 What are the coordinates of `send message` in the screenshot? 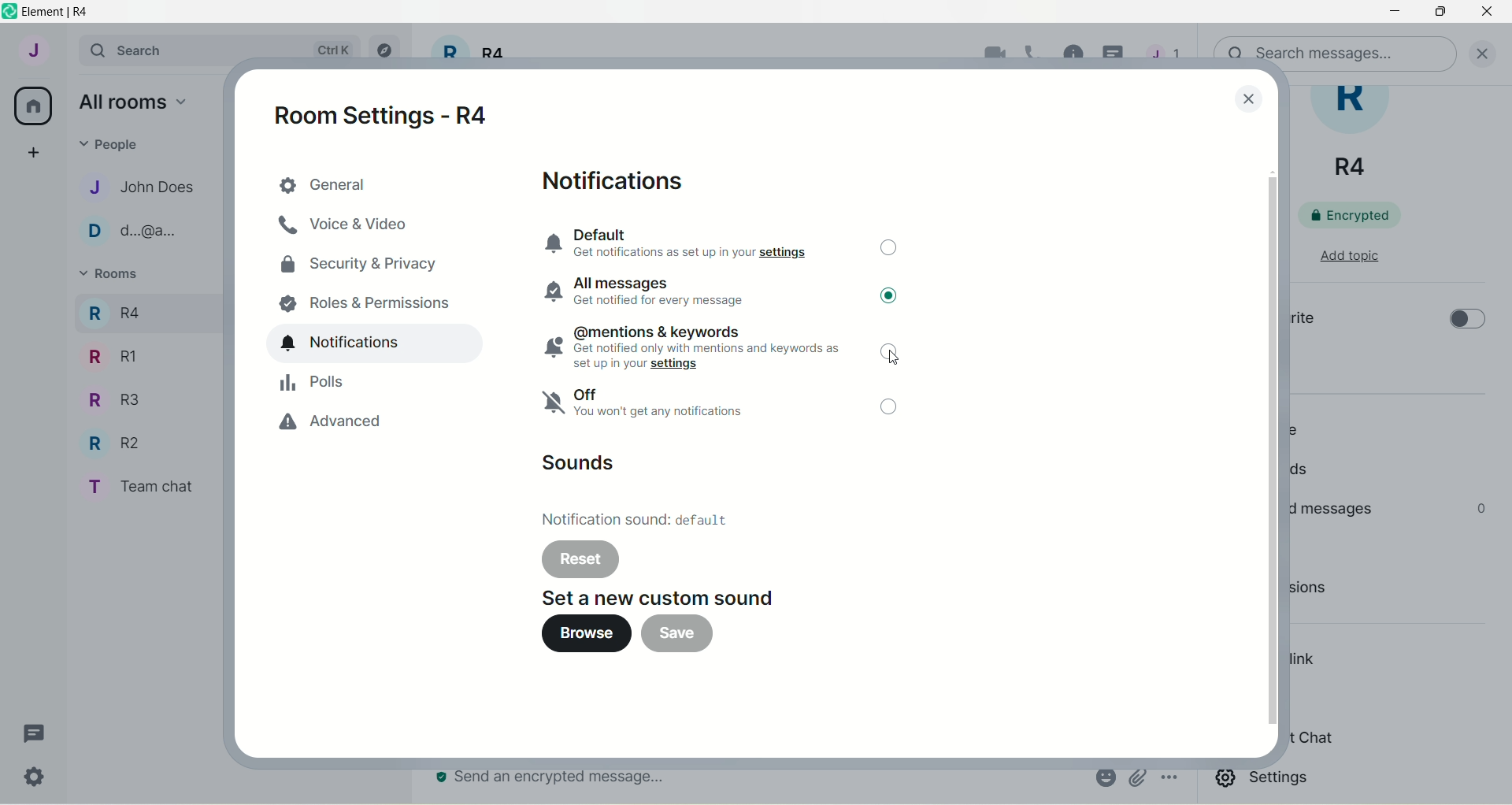 It's located at (555, 779).